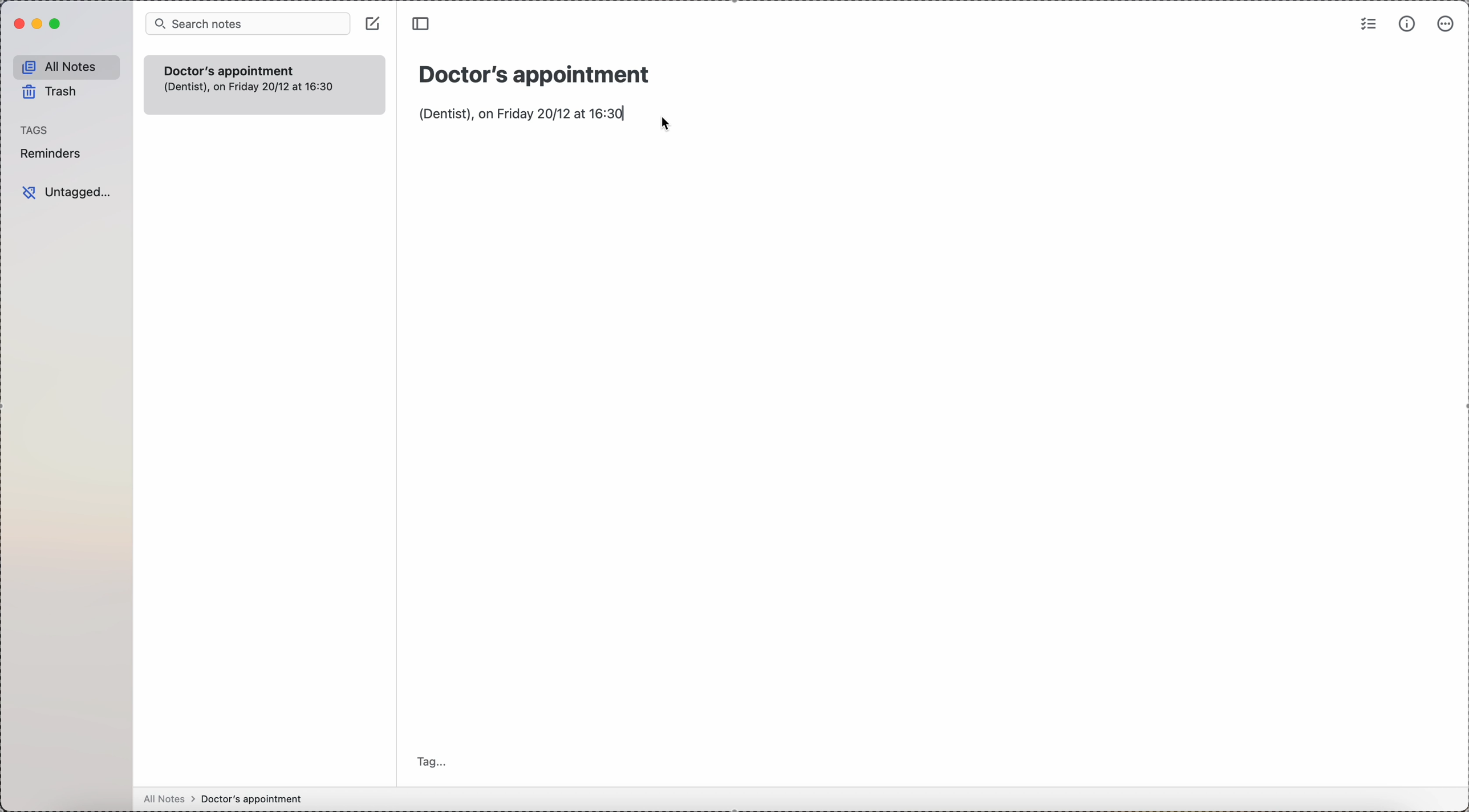  What do you see at coordinates (372, 23) in the screenshot?
I see `create note` at bounding box center [372, 23].